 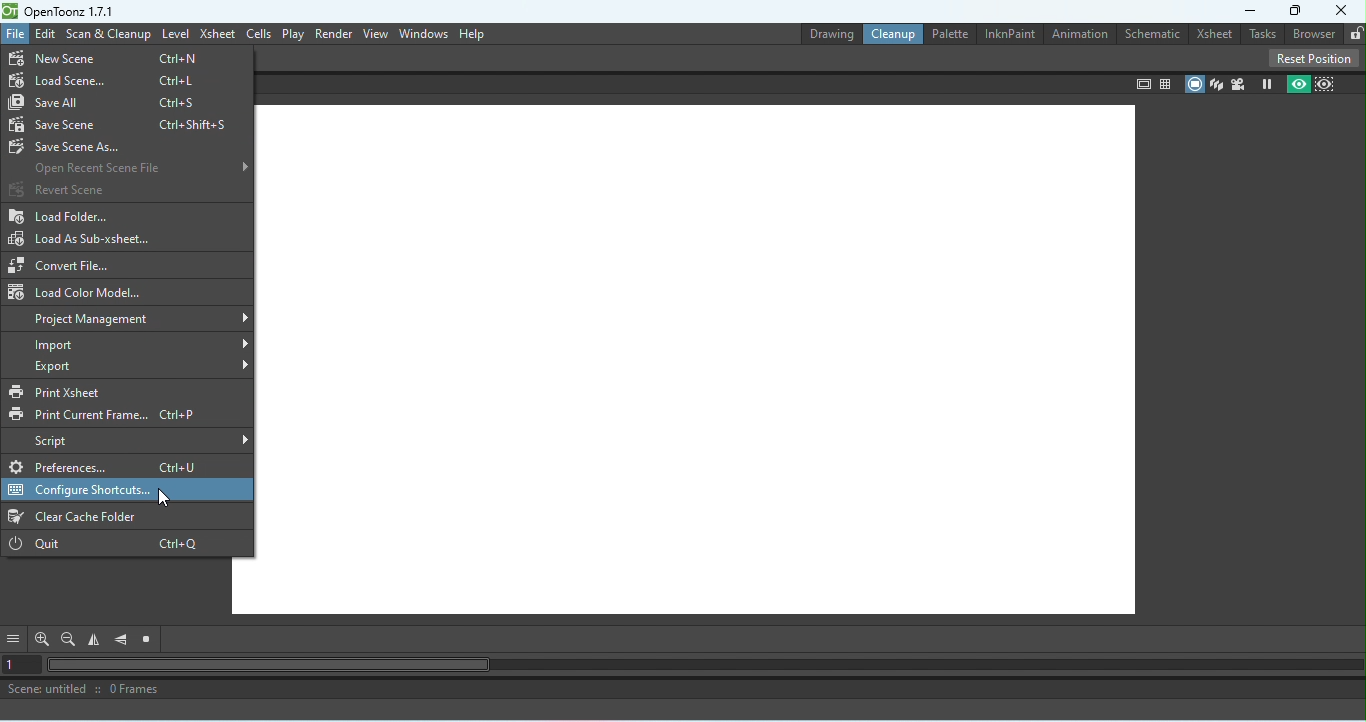 I want to click on Set the current frame, so click(x=22, y=666).